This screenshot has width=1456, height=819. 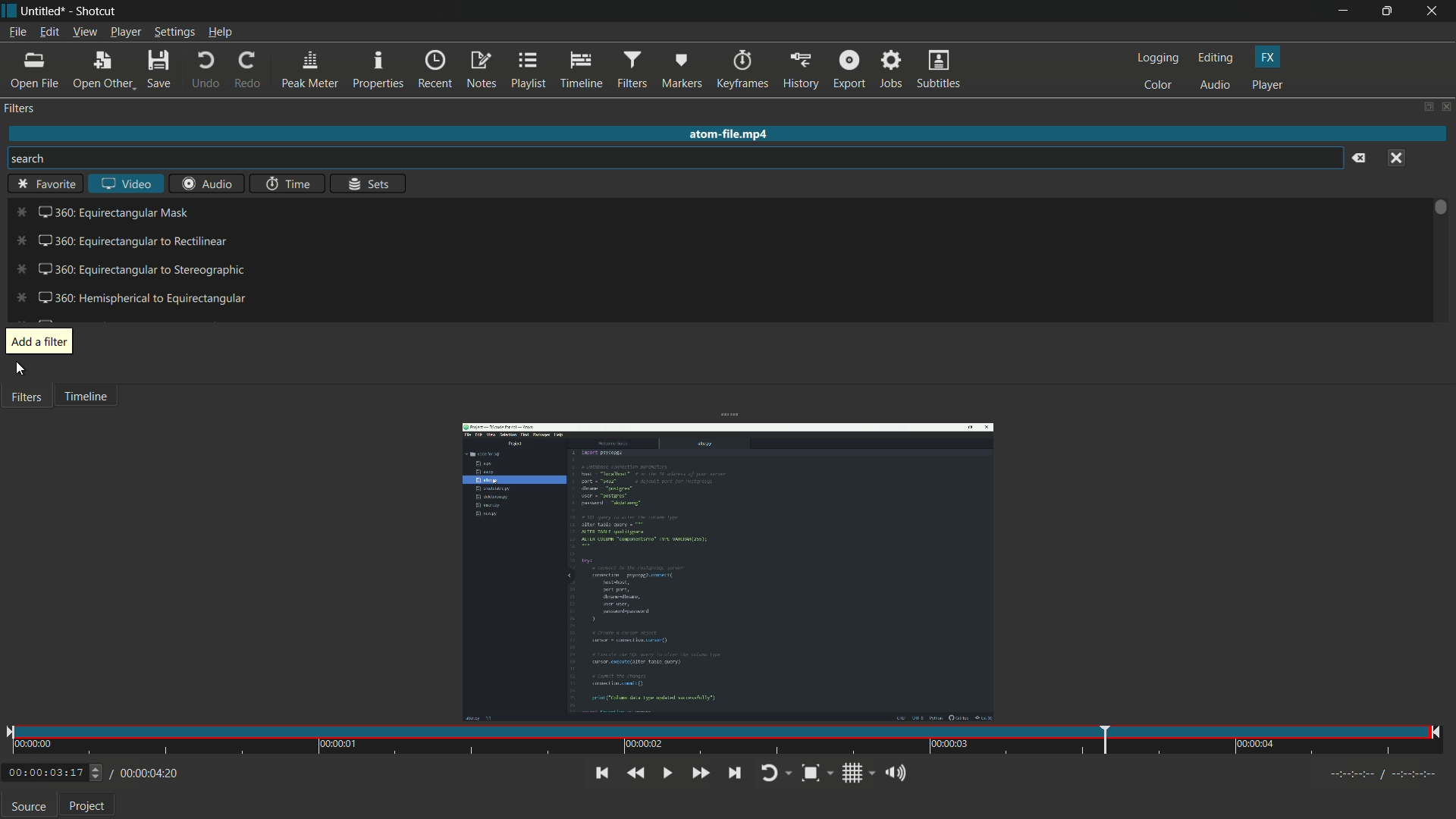 I want to click on close menu, so click(x=1395, y=158).